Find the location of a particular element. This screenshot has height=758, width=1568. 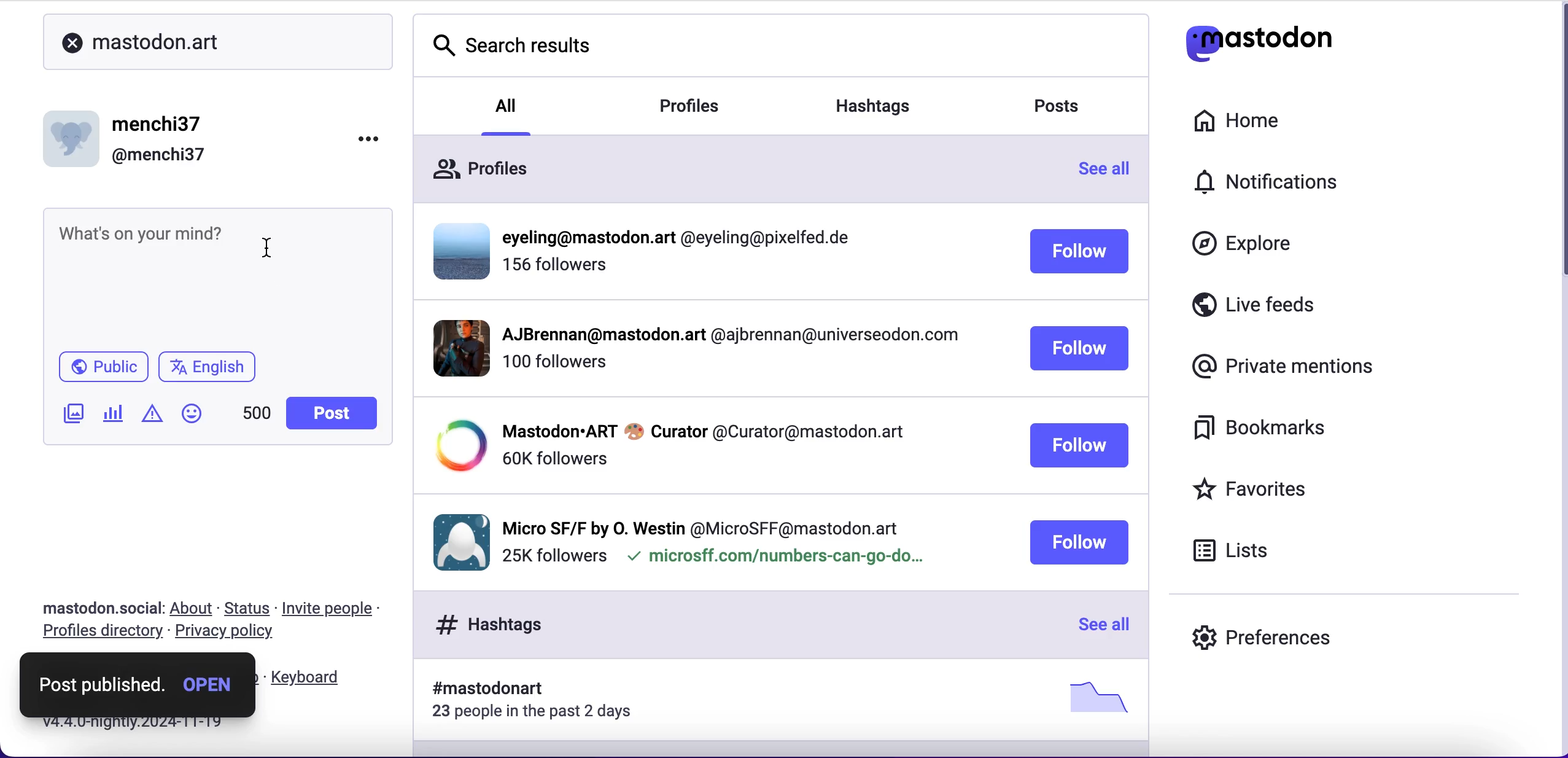

bookmarks is located at coordinates (1269, 432).